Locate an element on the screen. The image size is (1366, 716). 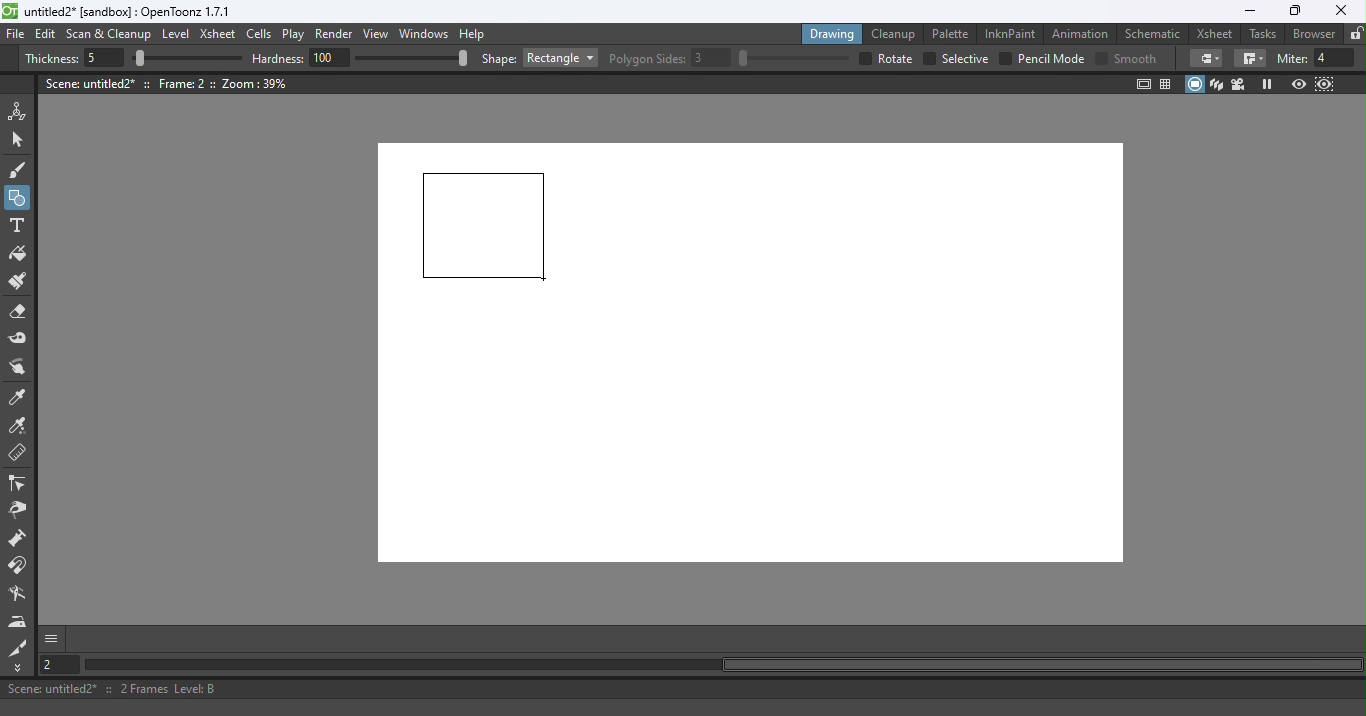
Pencil mode is located at coordinates (1050, 59).